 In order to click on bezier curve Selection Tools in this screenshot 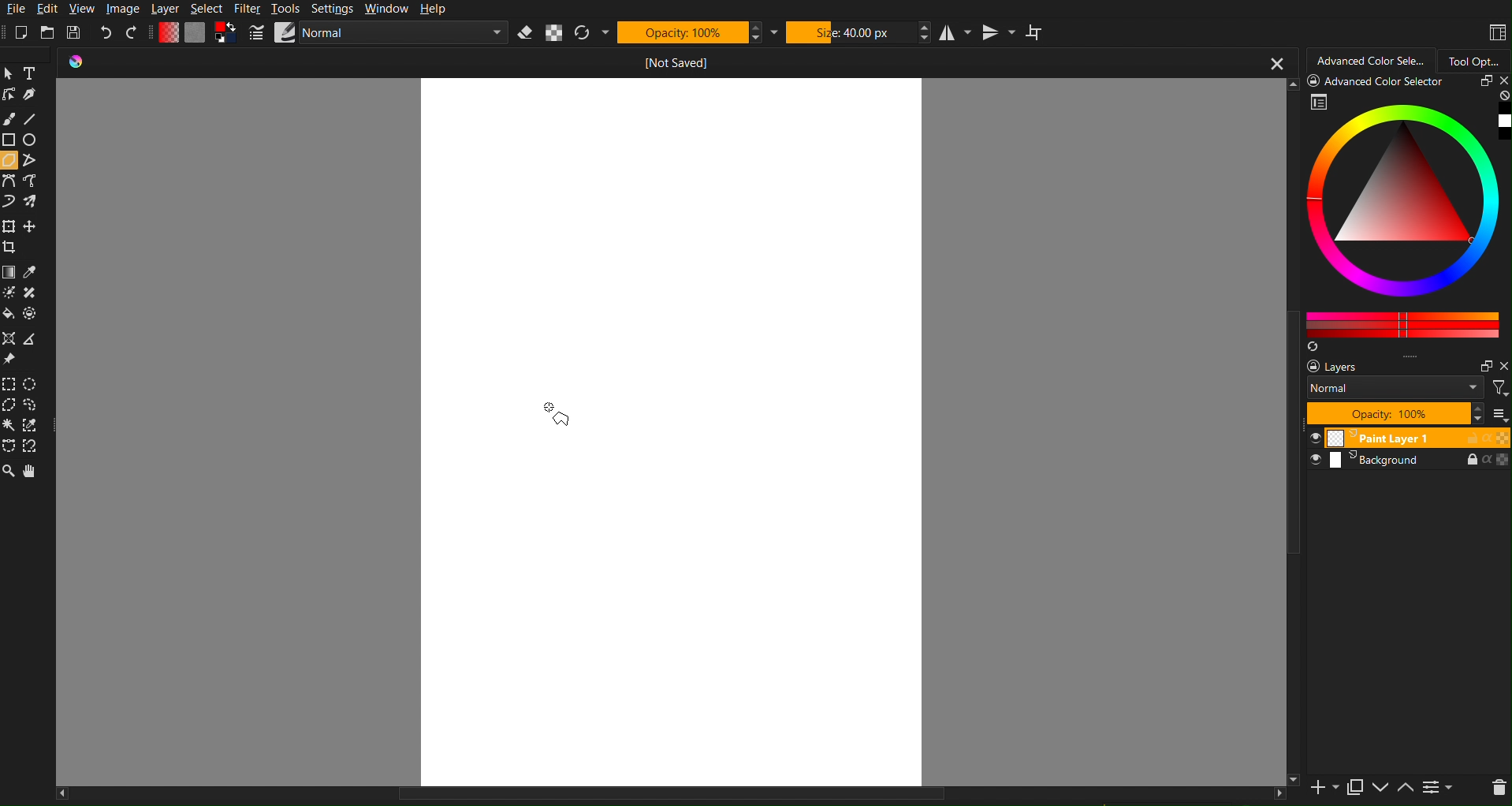, I will do `click(11, 447)`.